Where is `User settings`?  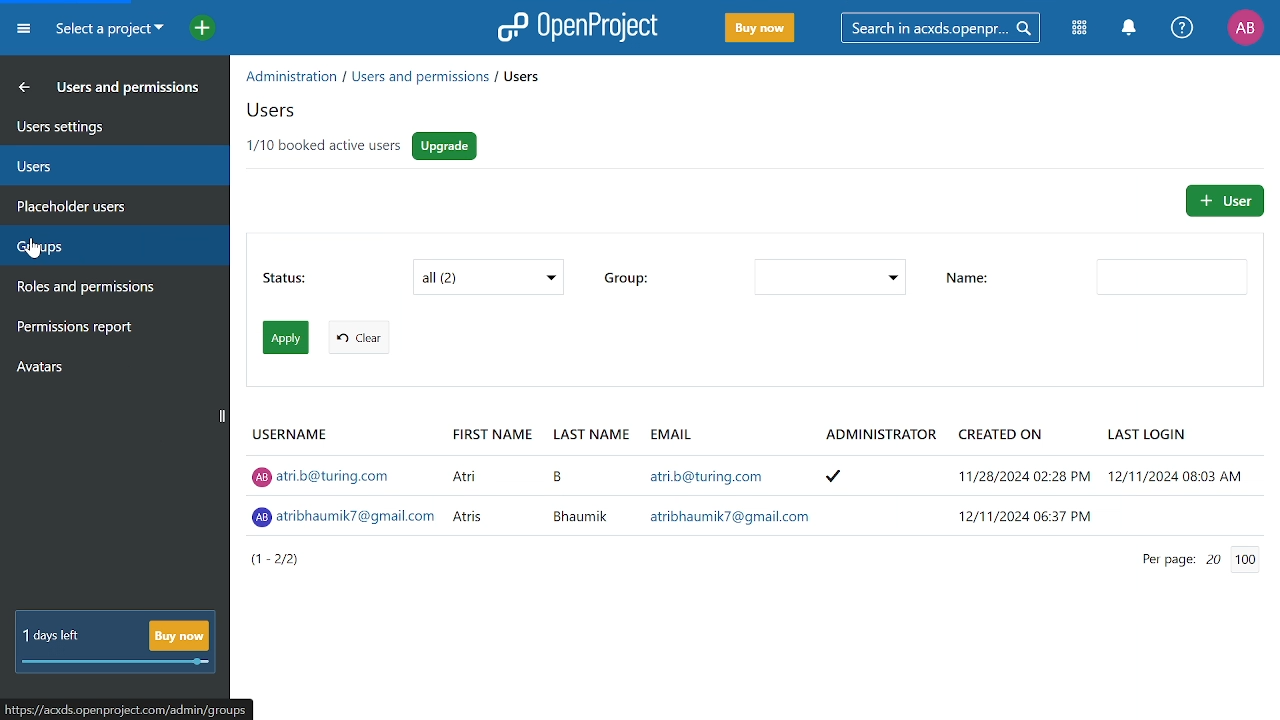 User settings is located at coordinates (113, 125).